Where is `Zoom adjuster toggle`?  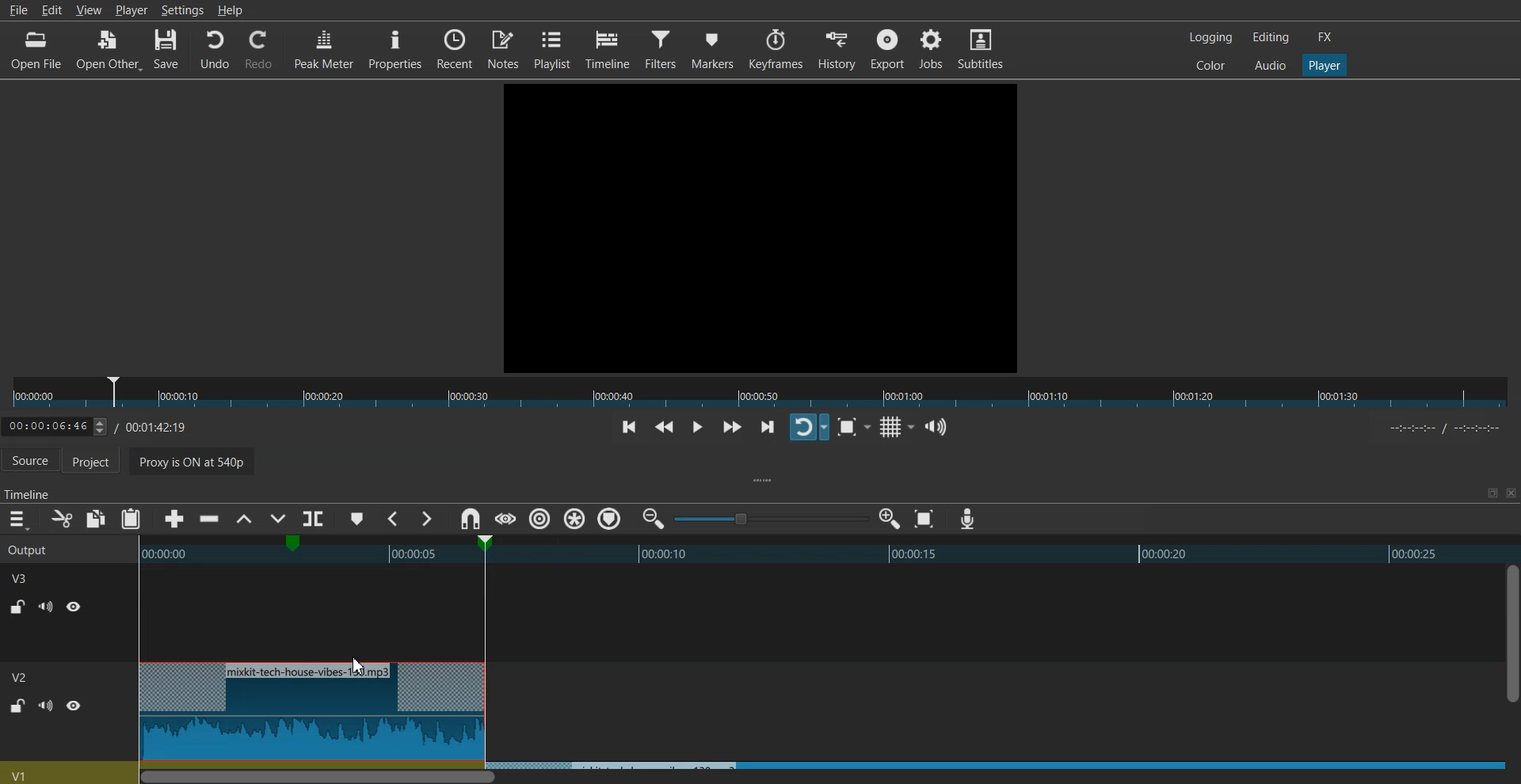
Zoom adjuster toggle is located at coordinates (771, 519).